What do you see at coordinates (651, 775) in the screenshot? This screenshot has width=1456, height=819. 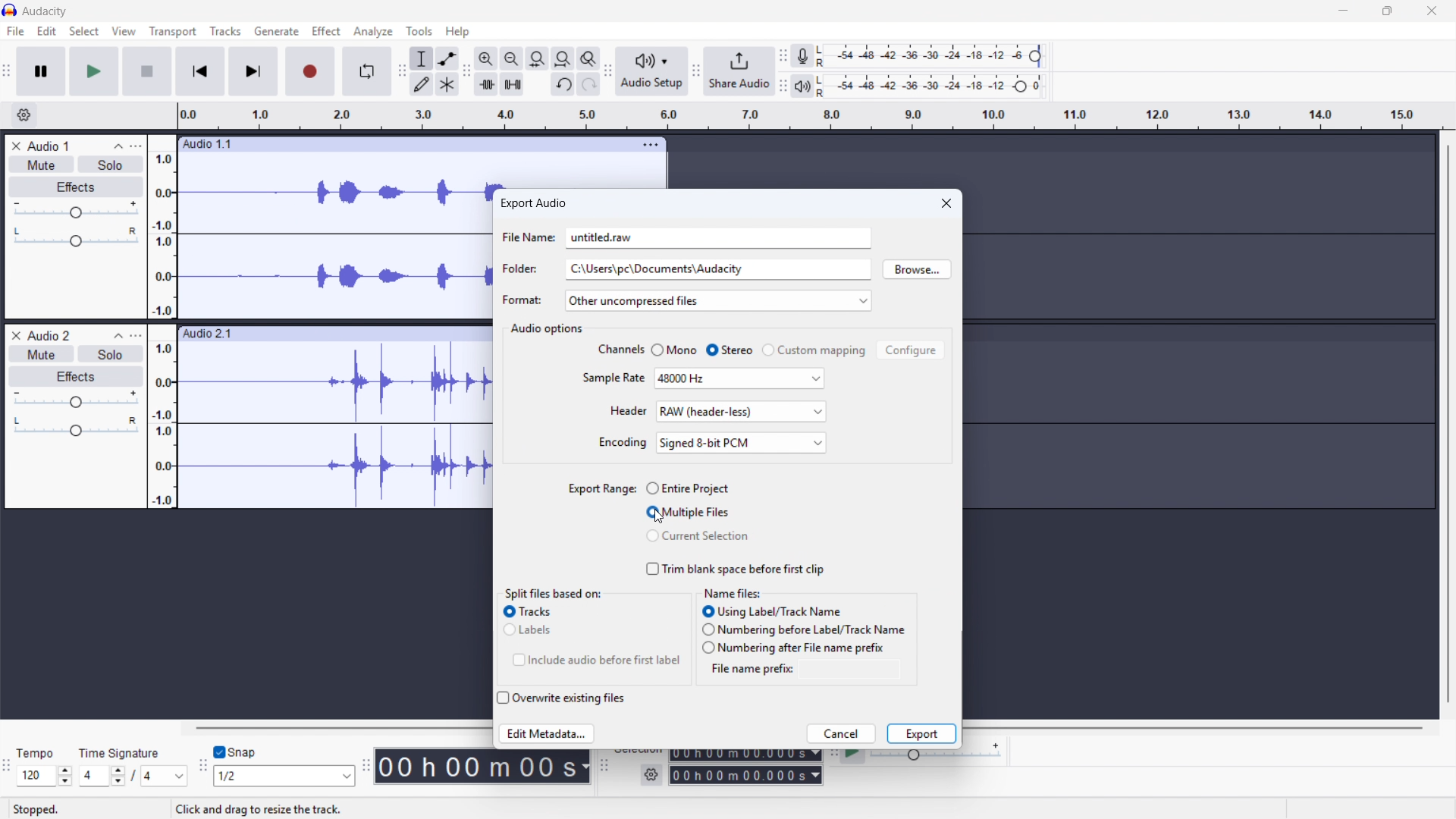 I see `Selection settings` at bounding box center [651, 775].